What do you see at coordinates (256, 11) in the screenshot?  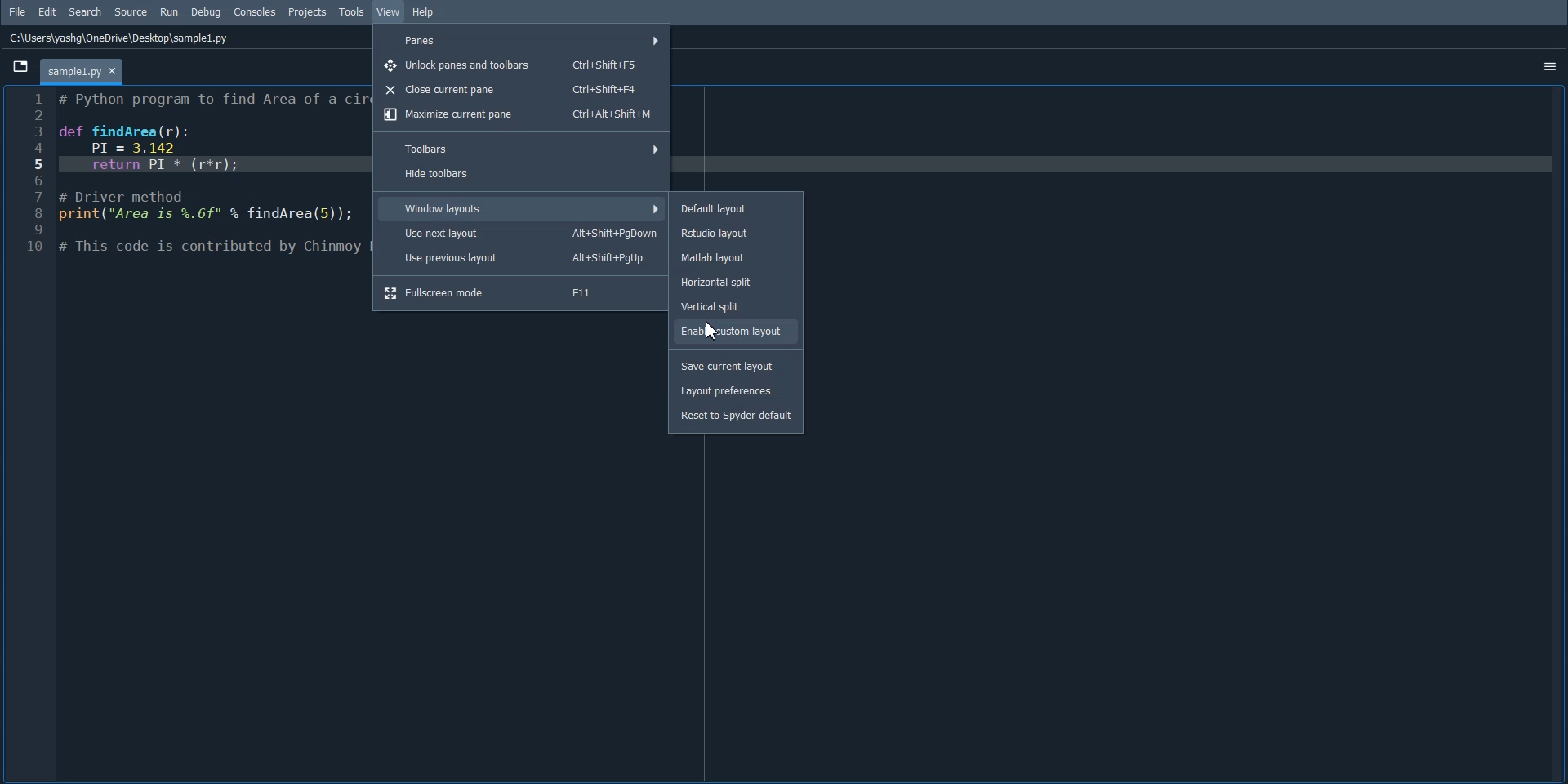 I see `Consoles` at bounding box center [256, 11].